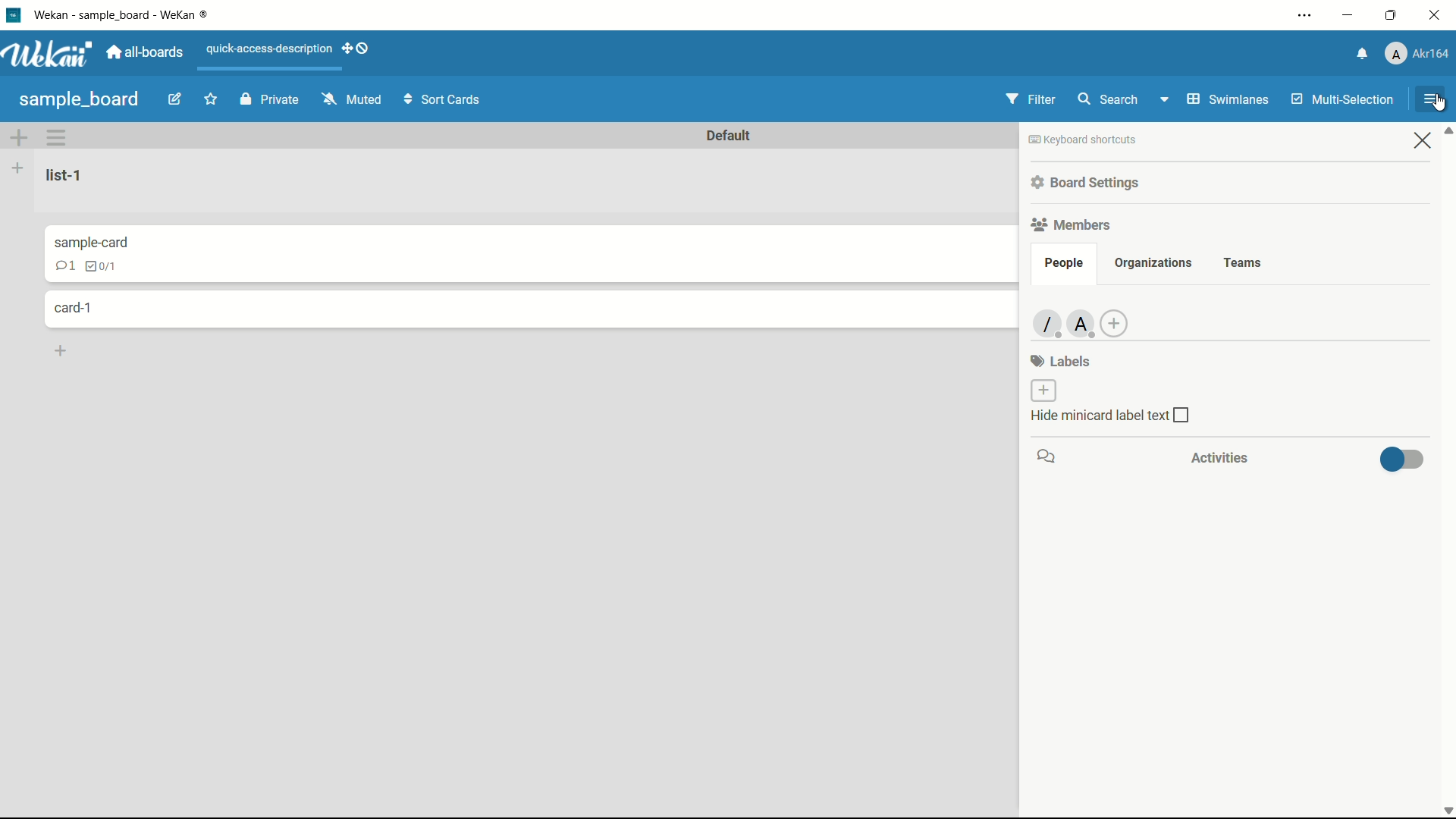 The image size is (1456, 819). What do you see at coordinates (361, 47) in the screenshot?
I see `show-desktop-drag-handles` at bounding box center [361, 47].